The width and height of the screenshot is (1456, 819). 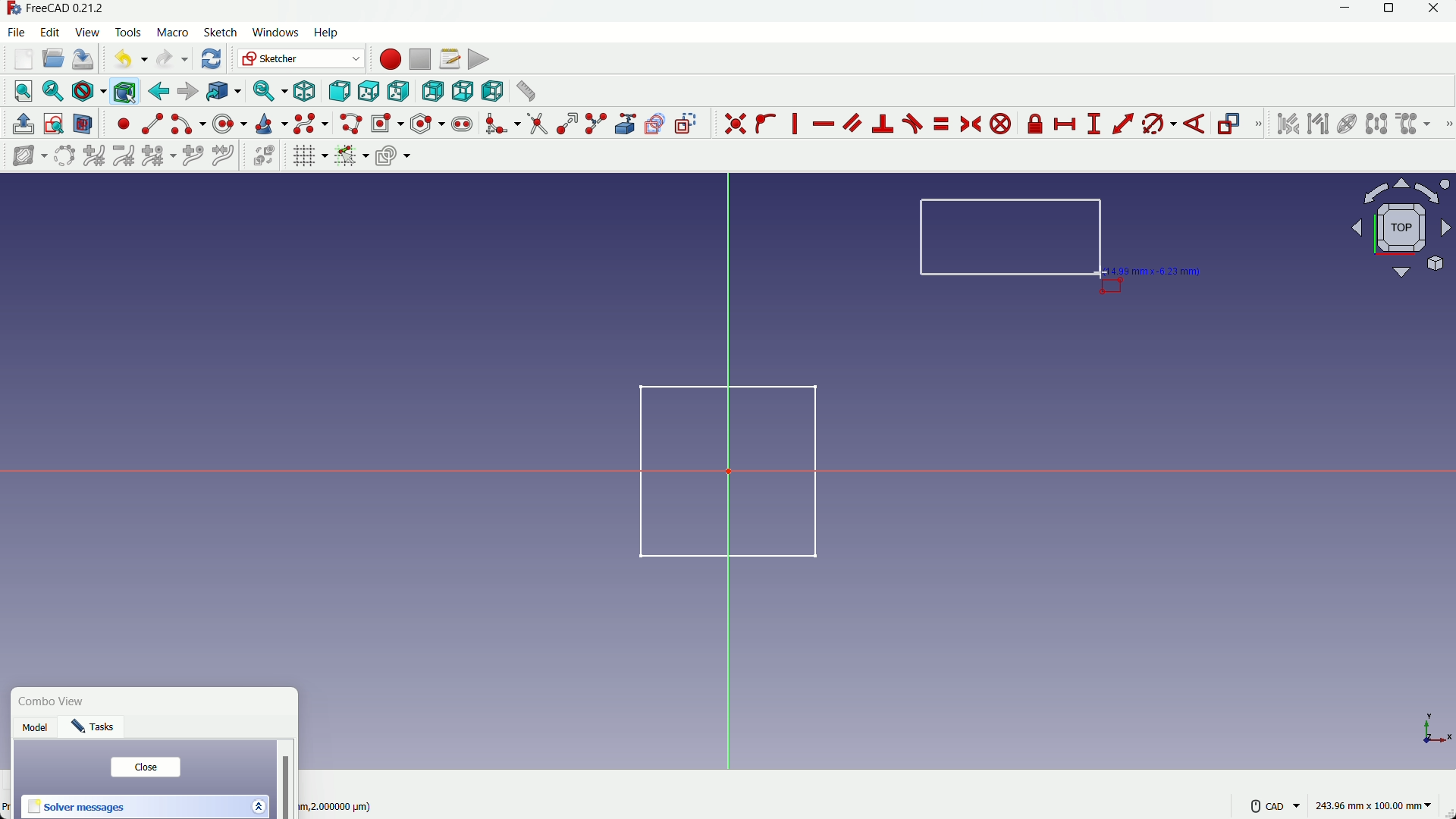 What do you see at coordinates (127, 58) in the screenshot?
I see `undo` at bounding box center [127, 58].